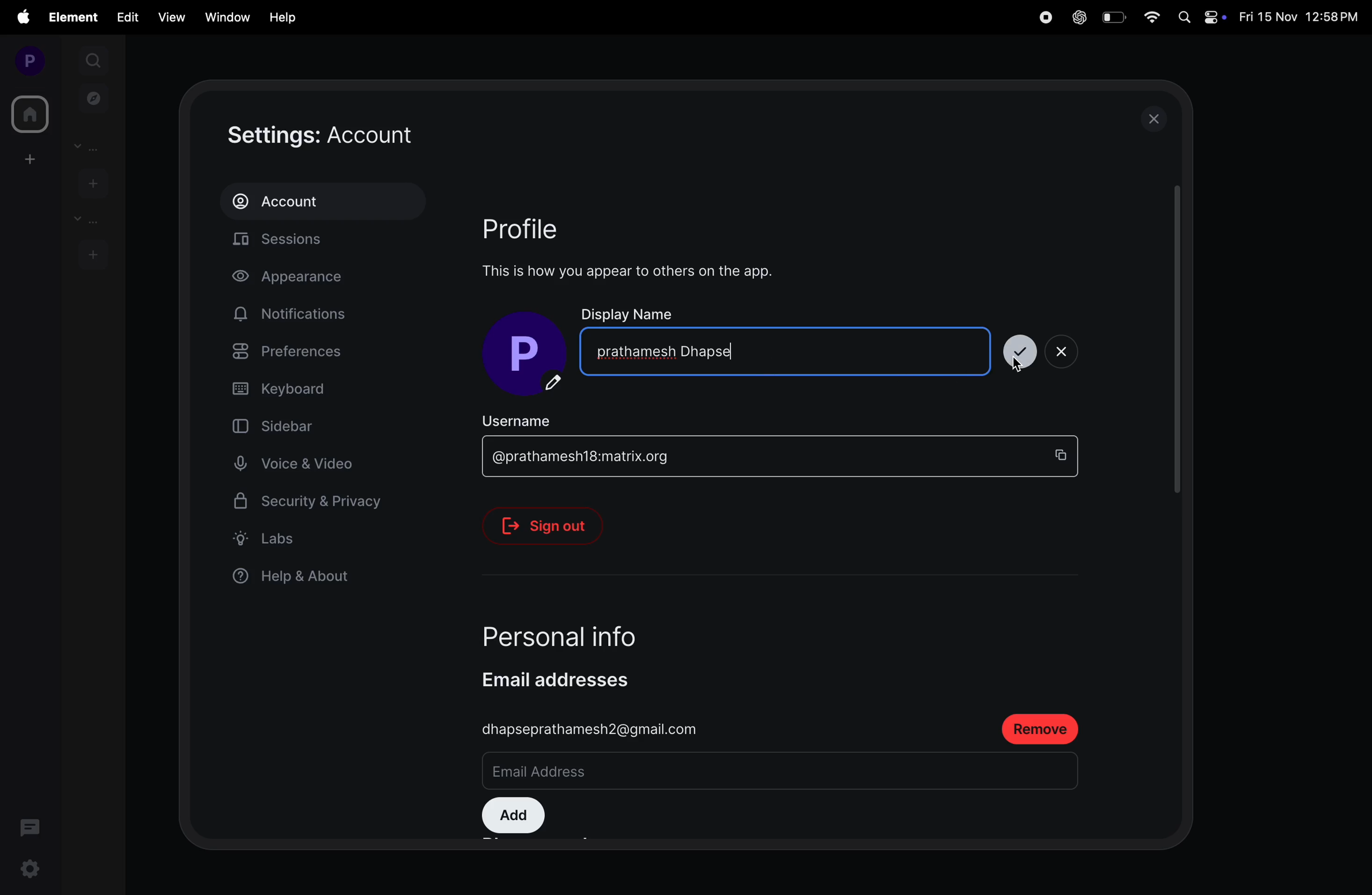 This screenshot has height=895, width=1372. I want to click on date and time, so click(1301, 18).